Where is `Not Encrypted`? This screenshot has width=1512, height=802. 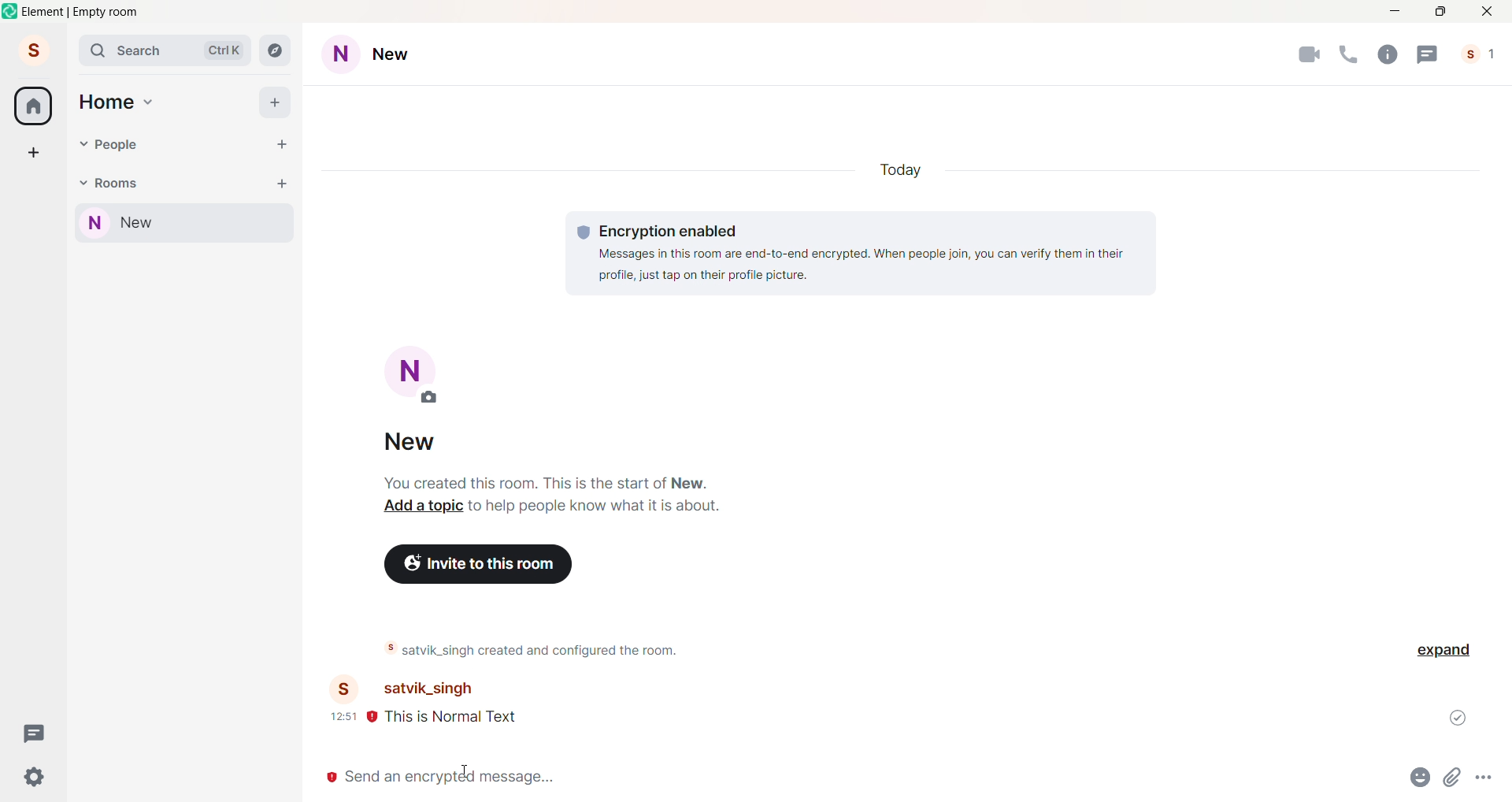
Not Encrypted is located at coordinates (372, 719).